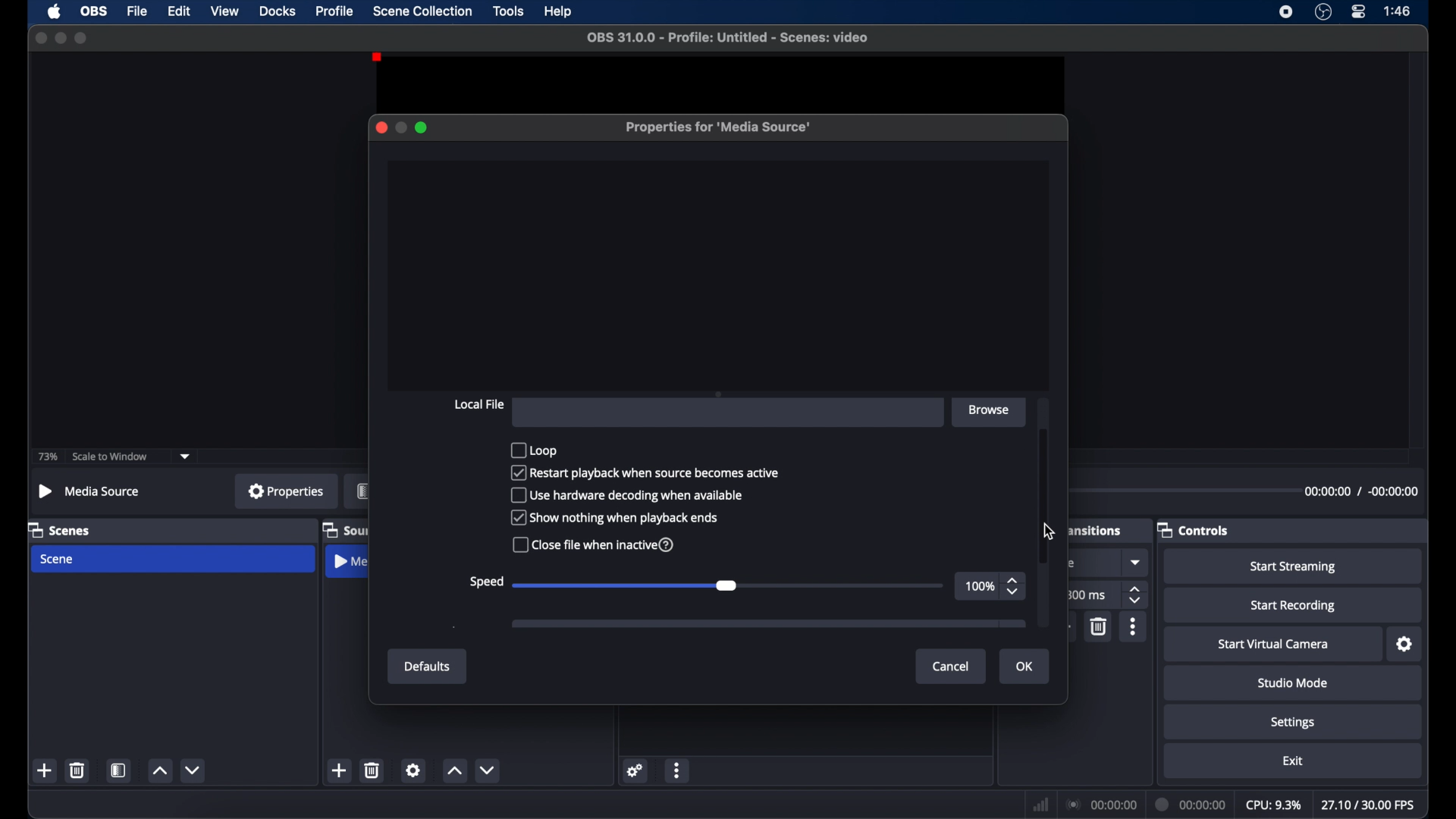  What do you see at coordinates (560, 13) in the screenshot?
I see `help` at bounding box center [560, 13].